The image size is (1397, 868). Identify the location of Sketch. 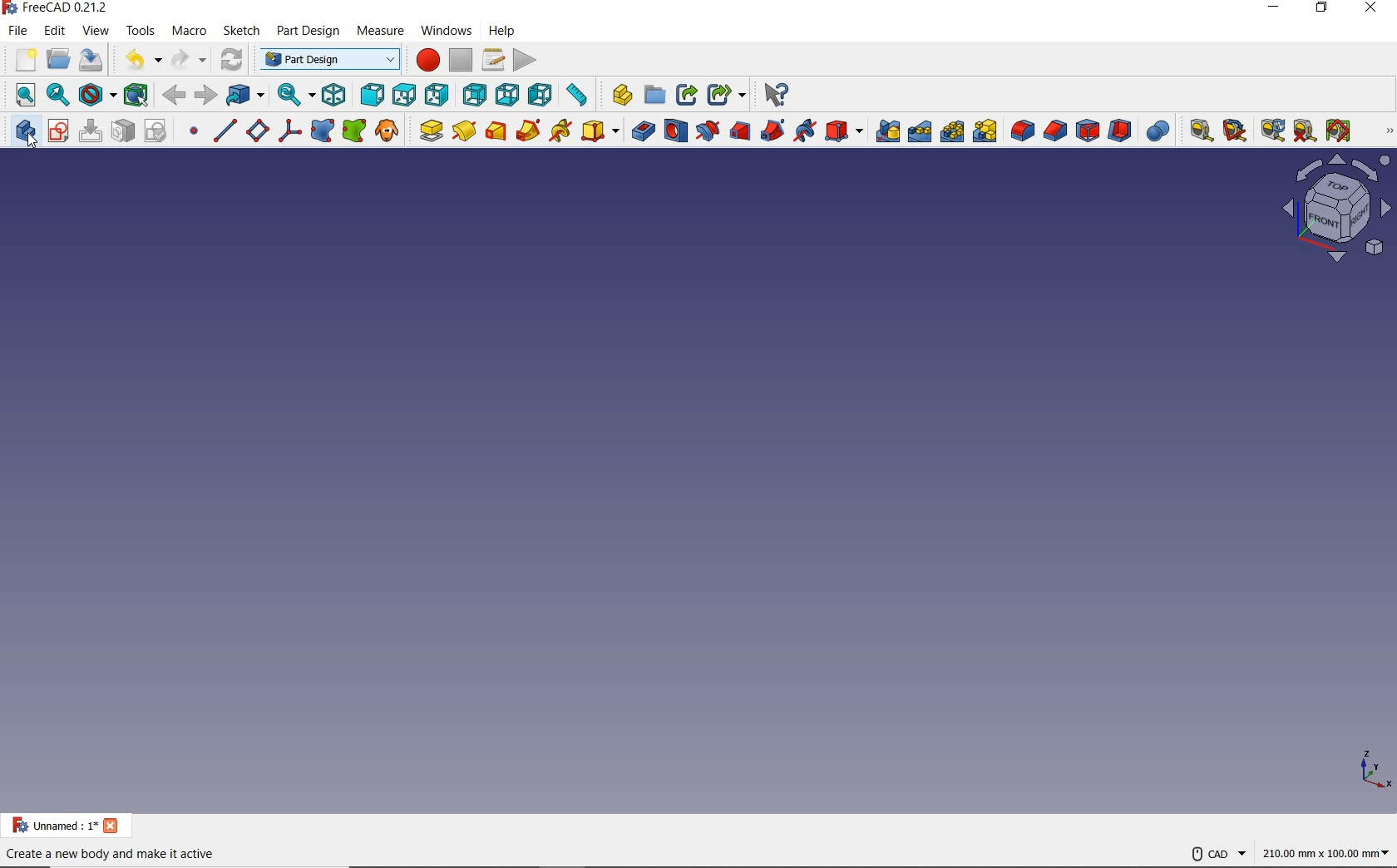
(239, 35).